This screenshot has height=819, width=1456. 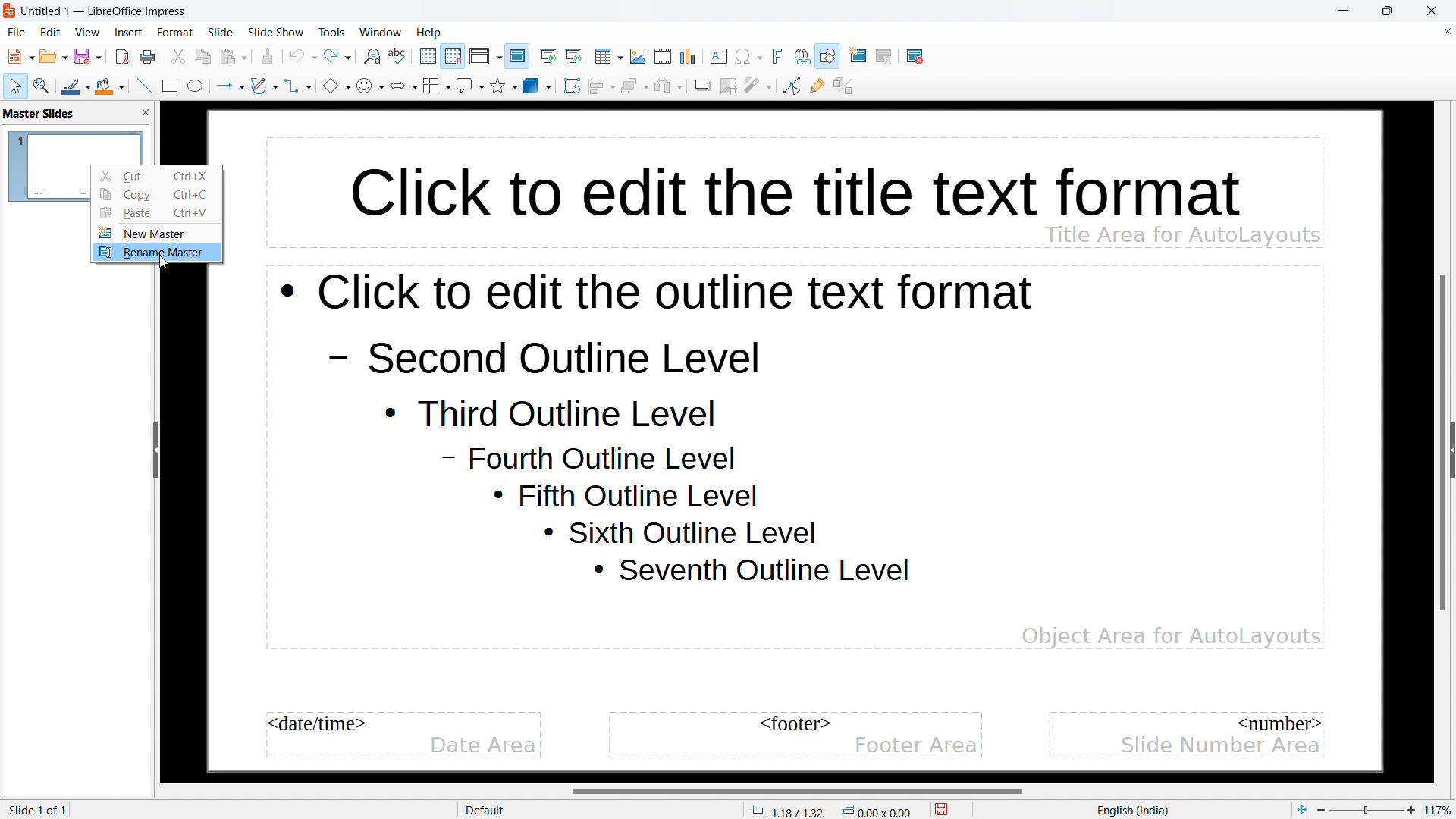 I want to click on close document, so click(x=1446, y=31).